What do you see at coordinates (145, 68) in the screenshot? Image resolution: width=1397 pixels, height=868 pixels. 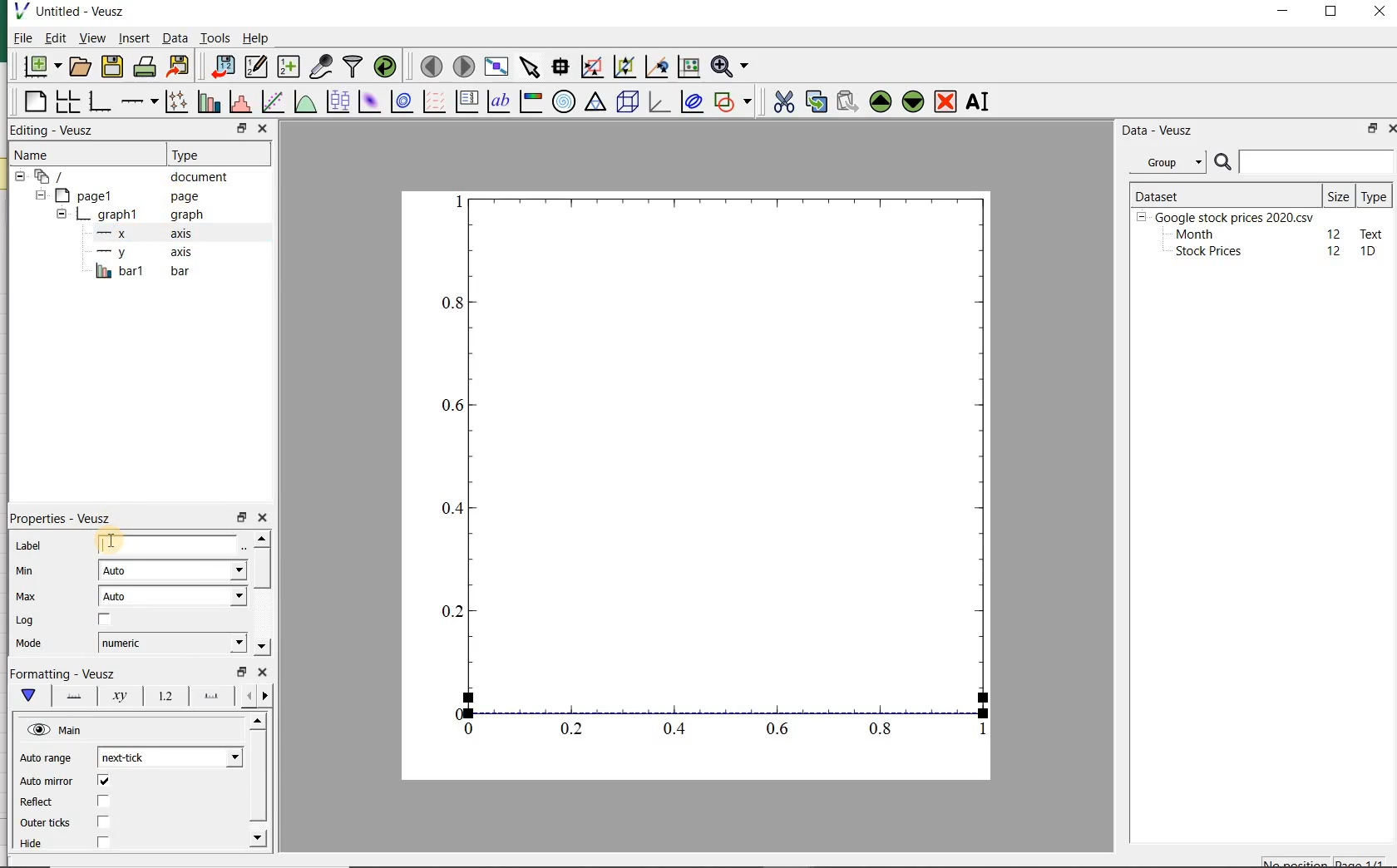 I see `print the document` at bounding box center [145, 68].